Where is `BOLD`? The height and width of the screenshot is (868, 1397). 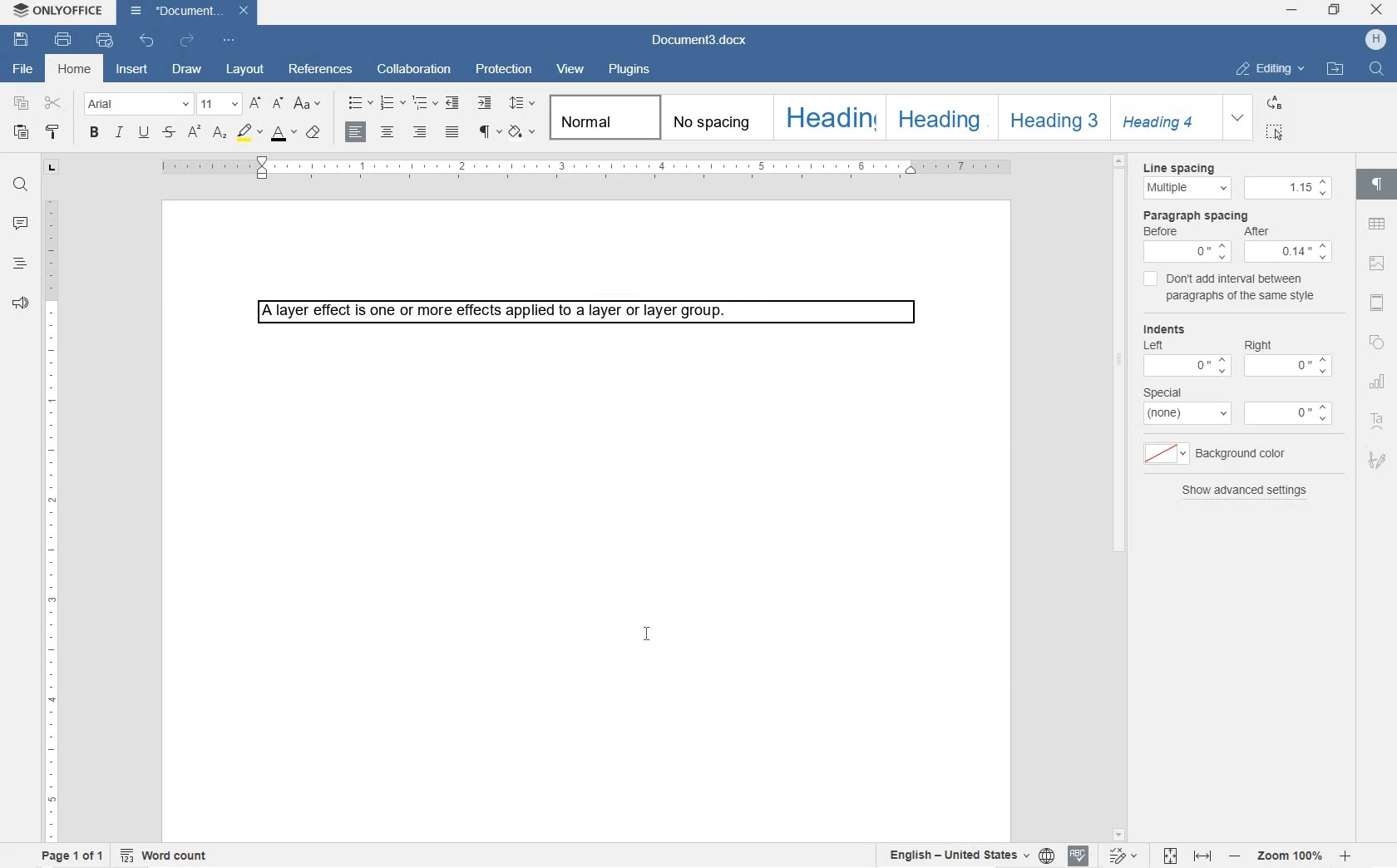
BOLD is located at coordinates (95, 133).